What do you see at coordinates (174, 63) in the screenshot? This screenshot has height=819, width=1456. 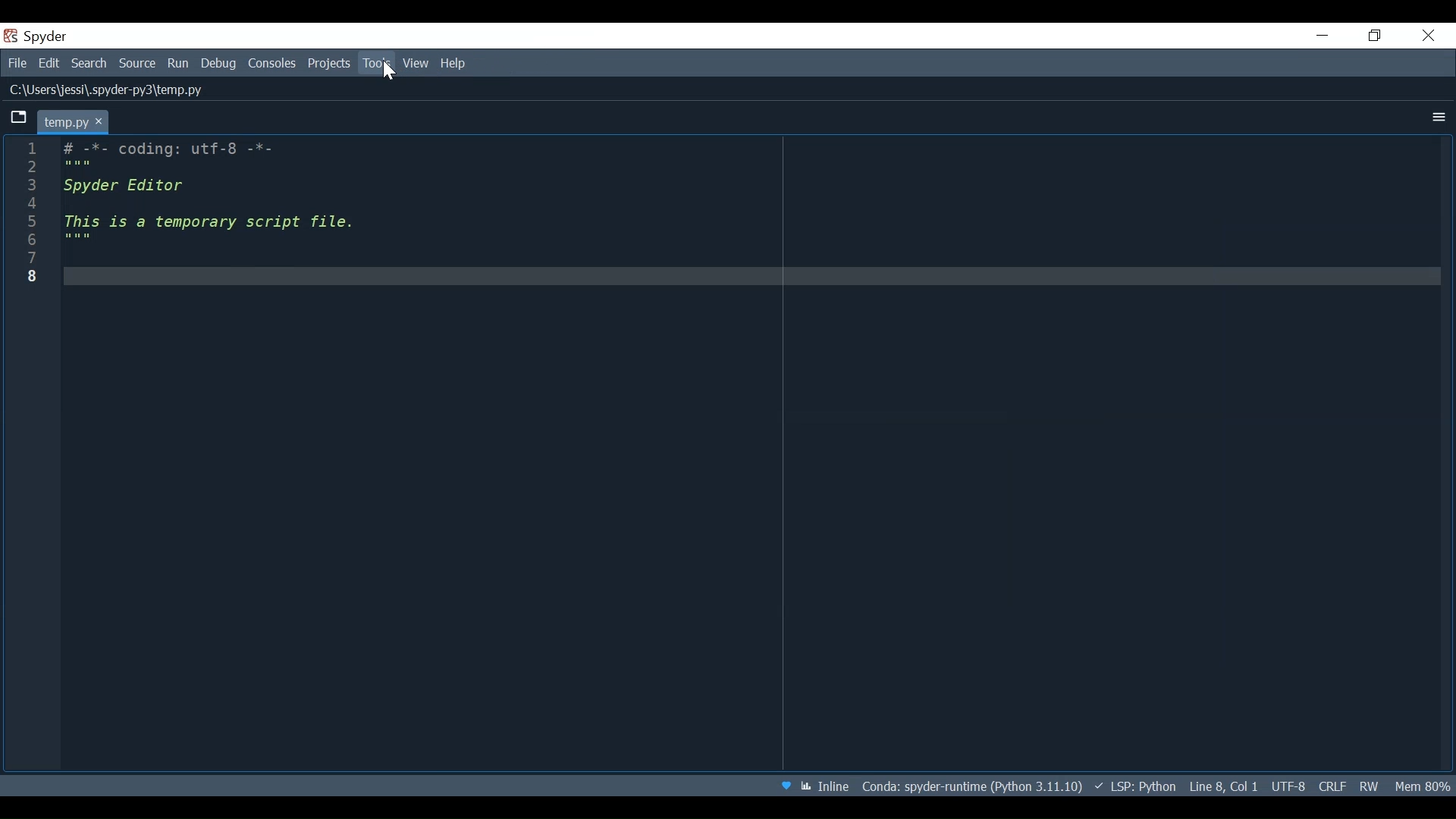 I see `Run` at bounding box center [174, 63].